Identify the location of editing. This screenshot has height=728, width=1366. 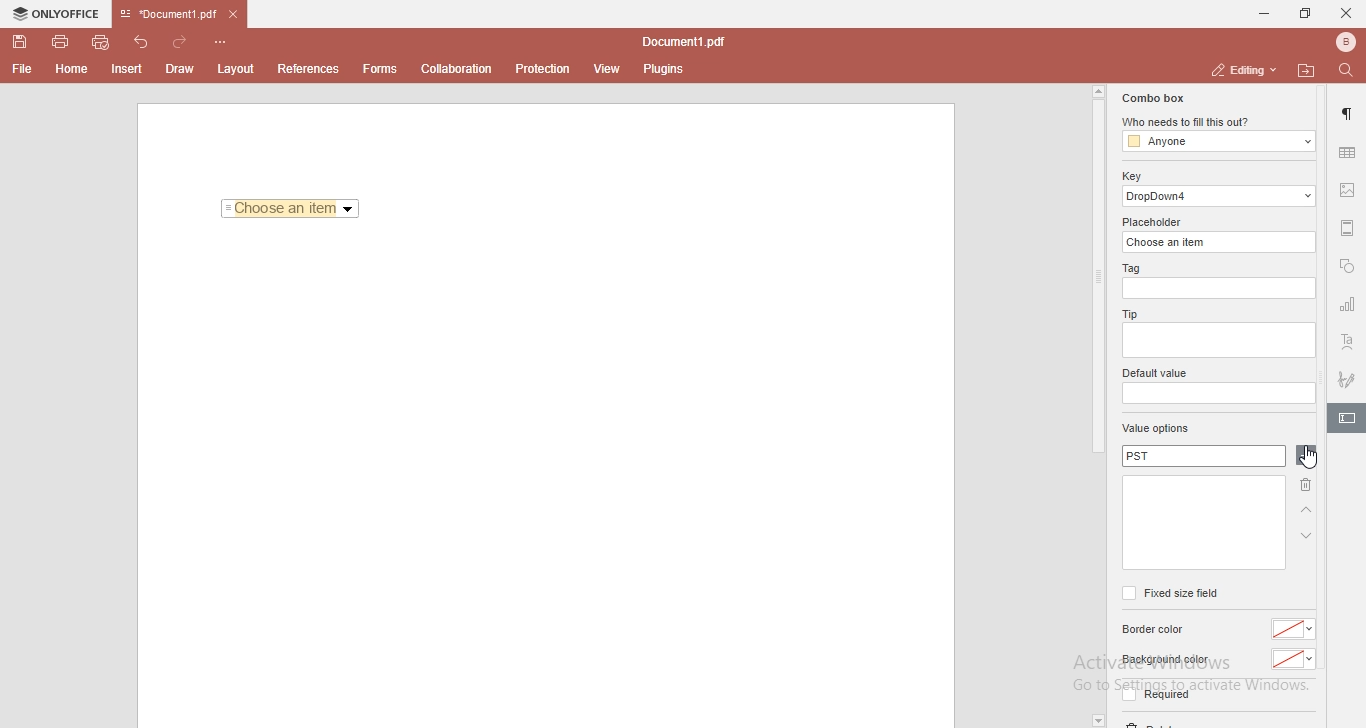
(1241, 69).